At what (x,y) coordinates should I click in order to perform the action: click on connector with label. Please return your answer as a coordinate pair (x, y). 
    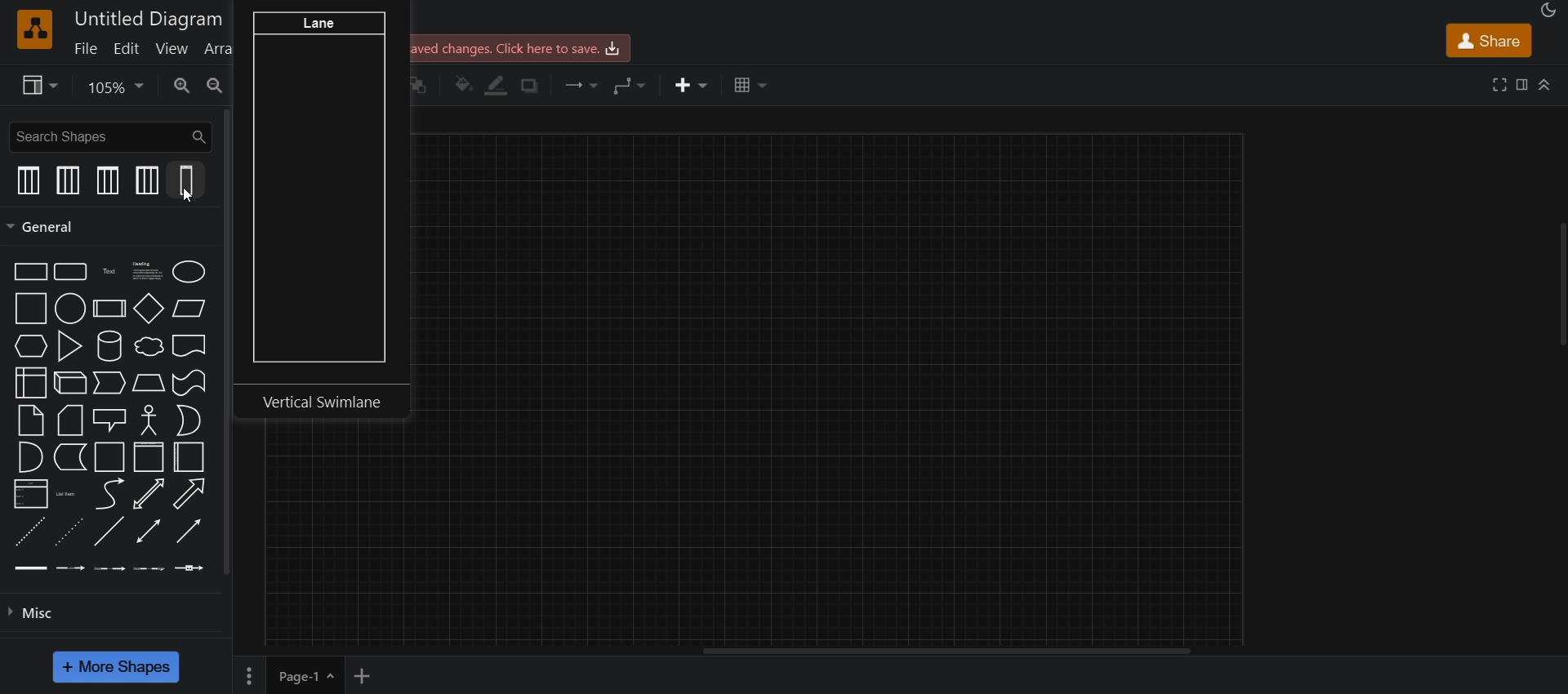
    Looking at the image, I should click on (72, 568).